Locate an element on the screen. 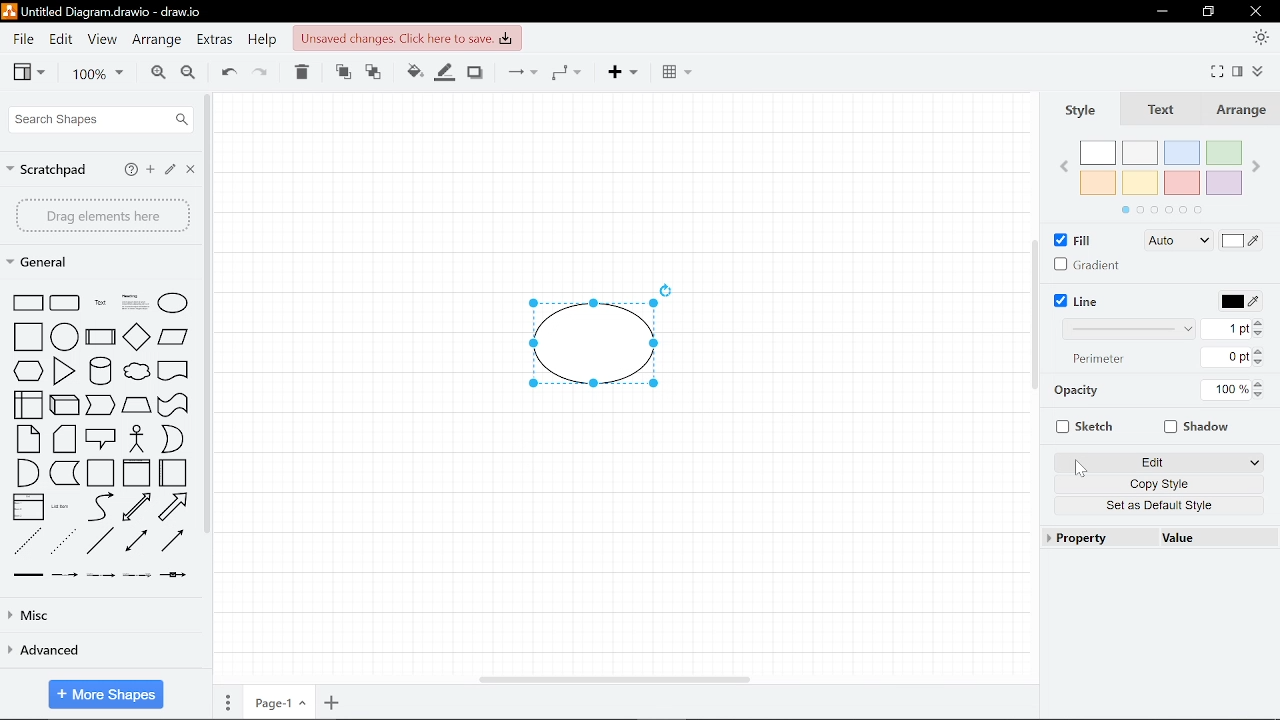  cylinder is located at coordinates (99, 370).